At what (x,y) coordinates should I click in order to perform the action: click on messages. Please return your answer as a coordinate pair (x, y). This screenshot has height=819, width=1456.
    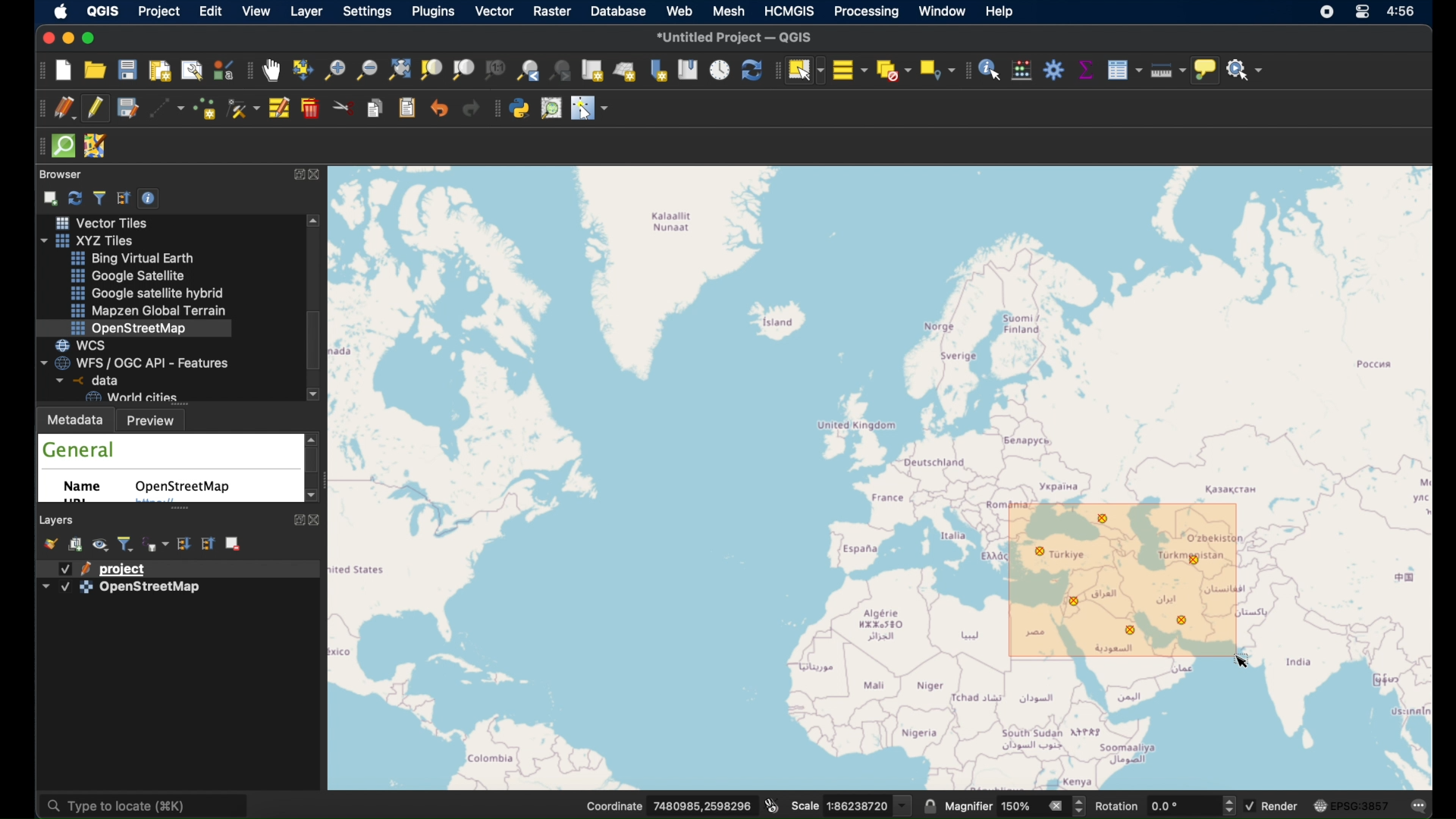
    Looking at the image, I should click on (1419, 804).